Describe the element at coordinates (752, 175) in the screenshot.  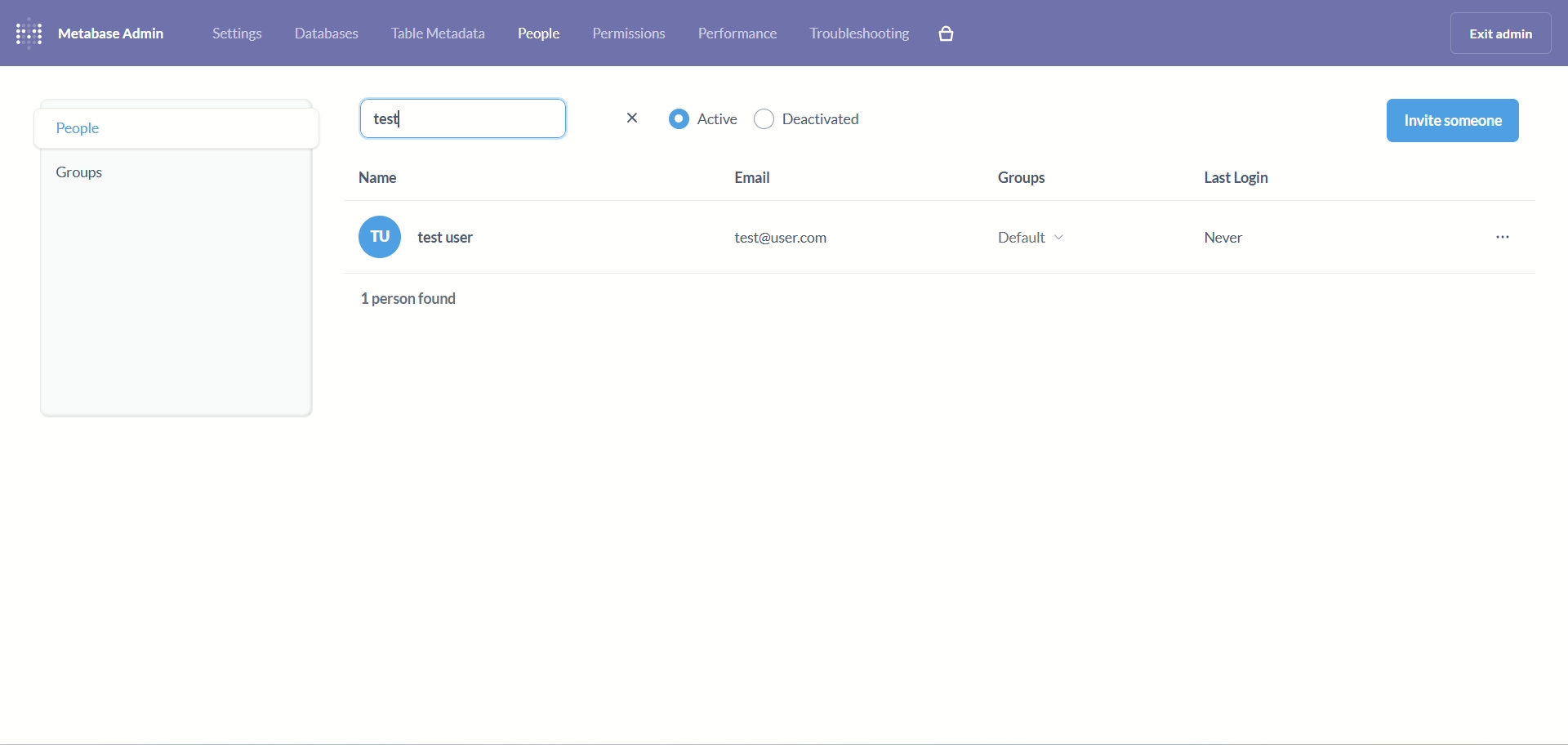
I see `Email` at that location.